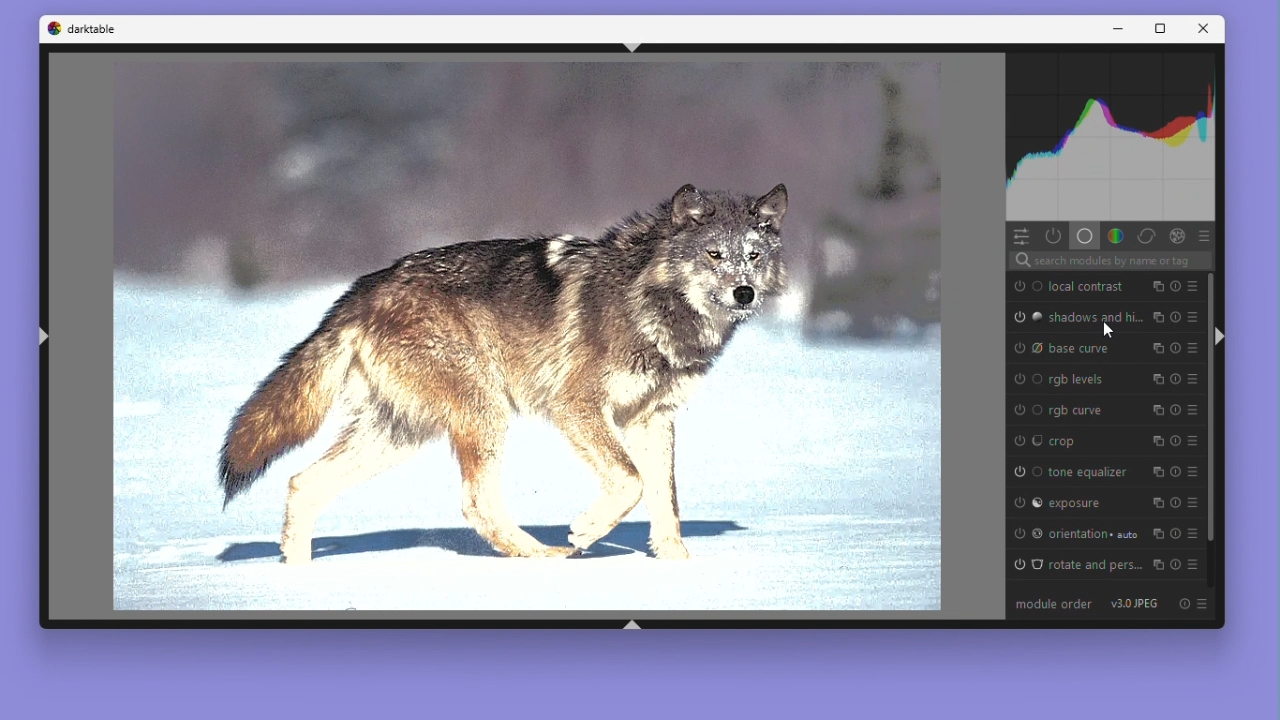 The width and height of the screenshot is (1280, 720). I want to click on shift+ctrl+b, so click(635, 624).